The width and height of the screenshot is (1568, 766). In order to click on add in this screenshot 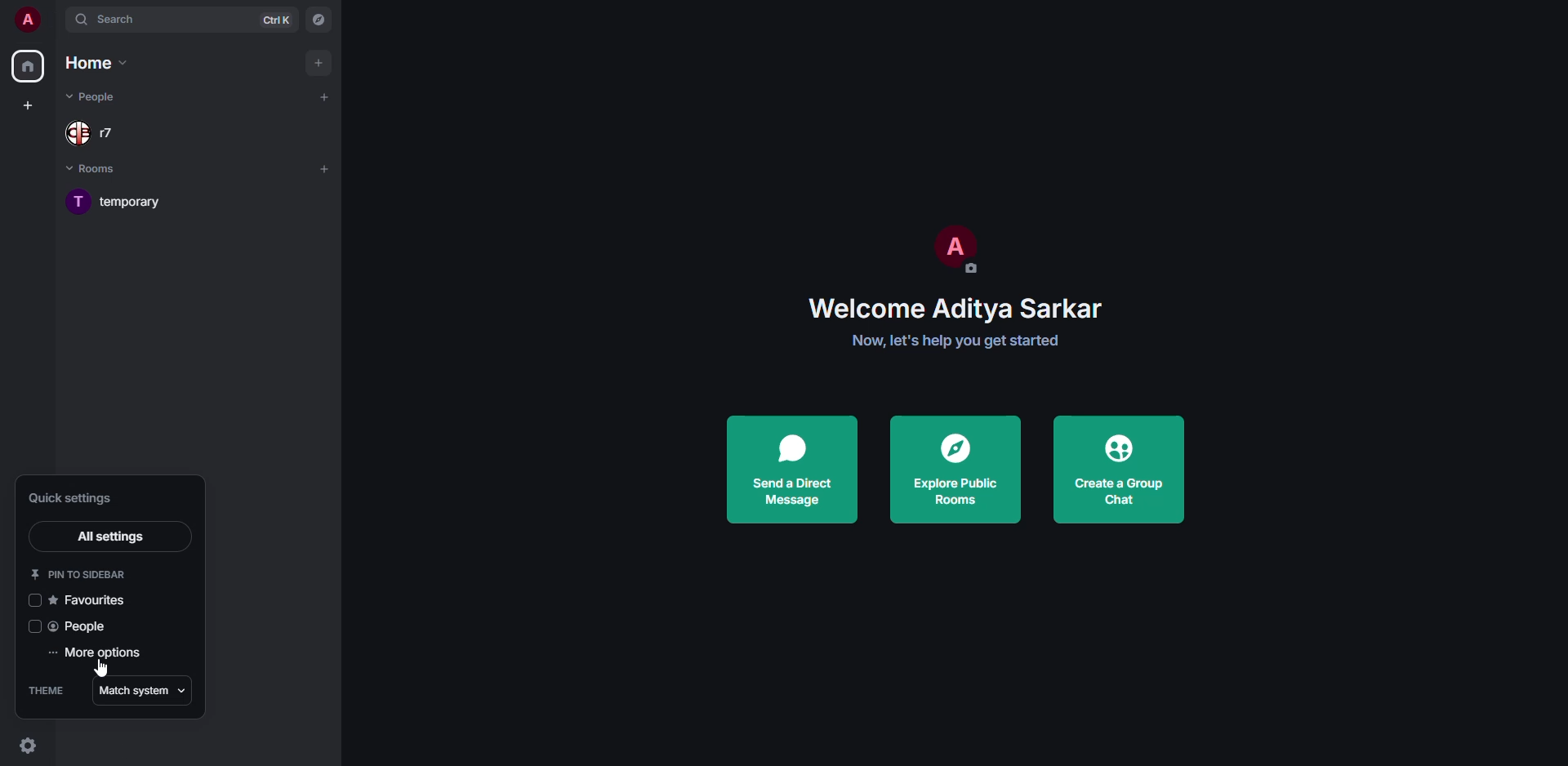, I will do `click(319, 60)`.